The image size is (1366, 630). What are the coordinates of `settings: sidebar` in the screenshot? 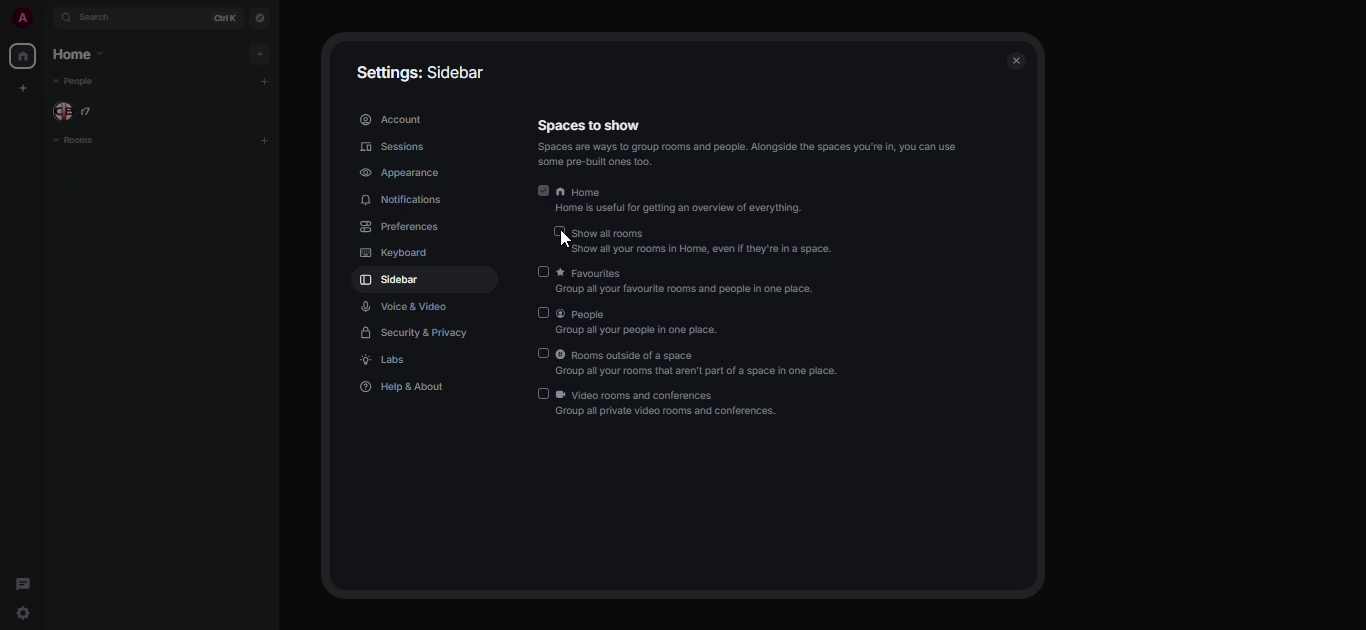 It's located at (417, 71).